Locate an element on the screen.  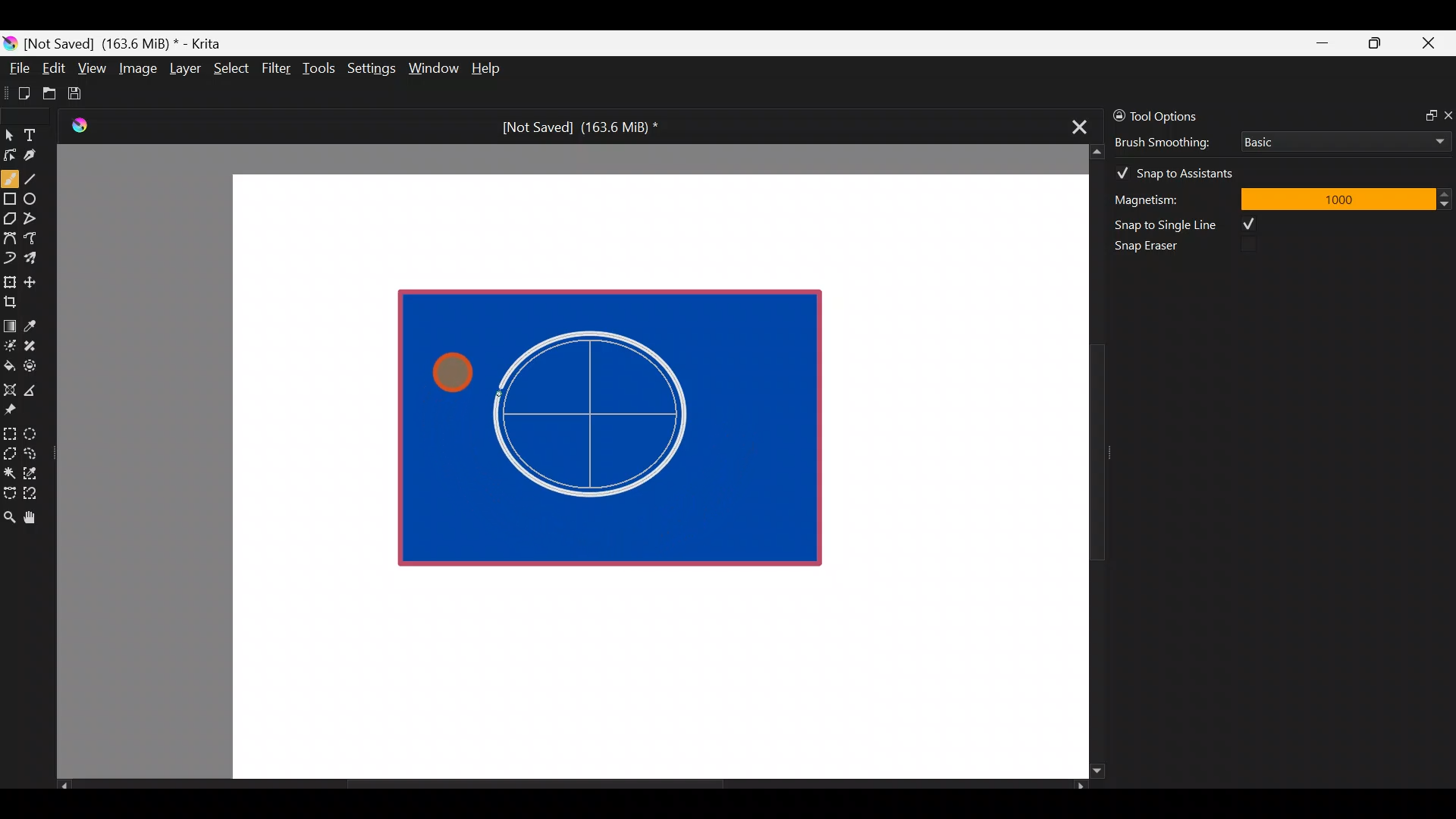
Text tool is located at coordinates (38, 134).